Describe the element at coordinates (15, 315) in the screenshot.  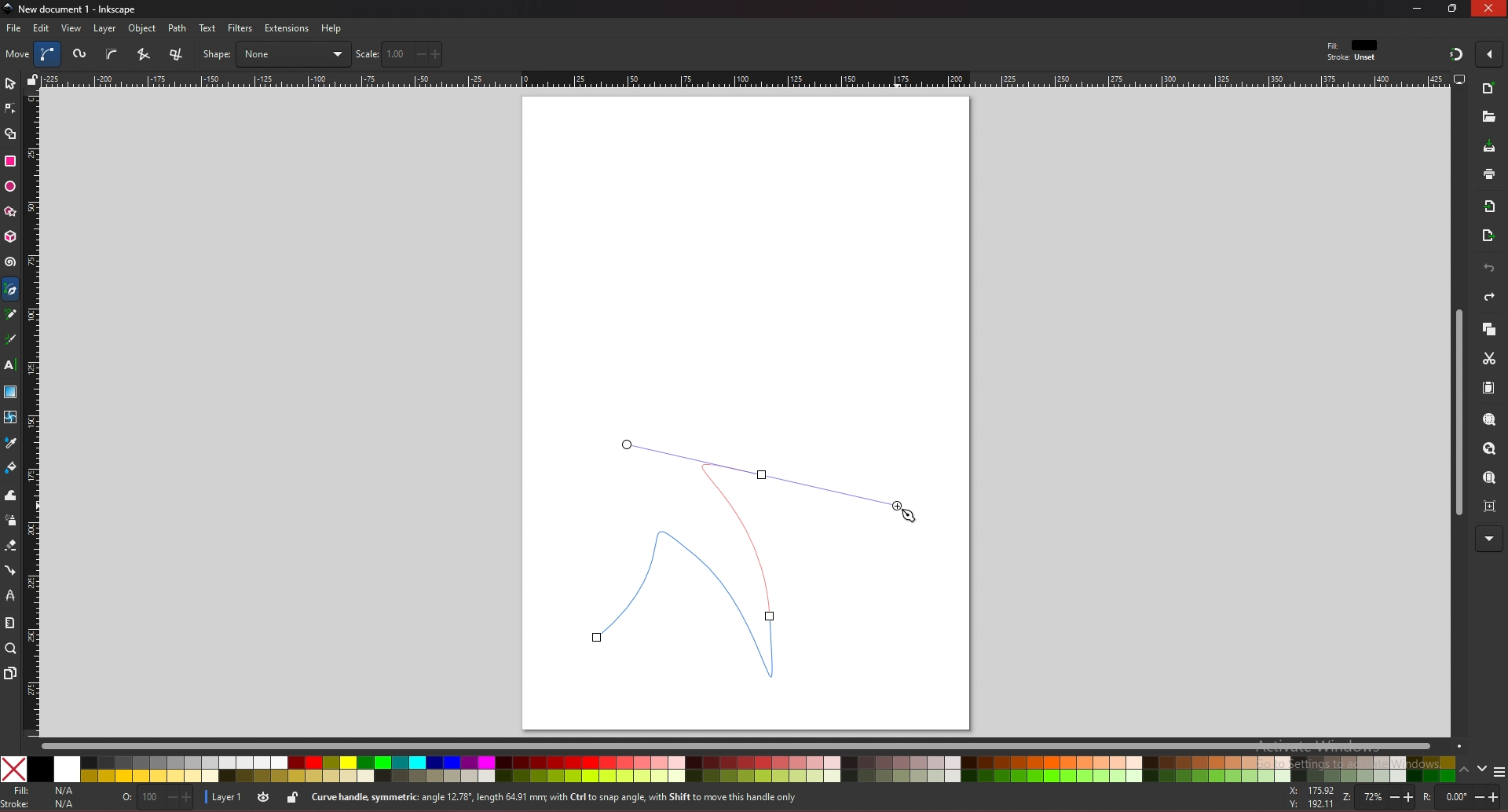
I see `pencil` at that location.